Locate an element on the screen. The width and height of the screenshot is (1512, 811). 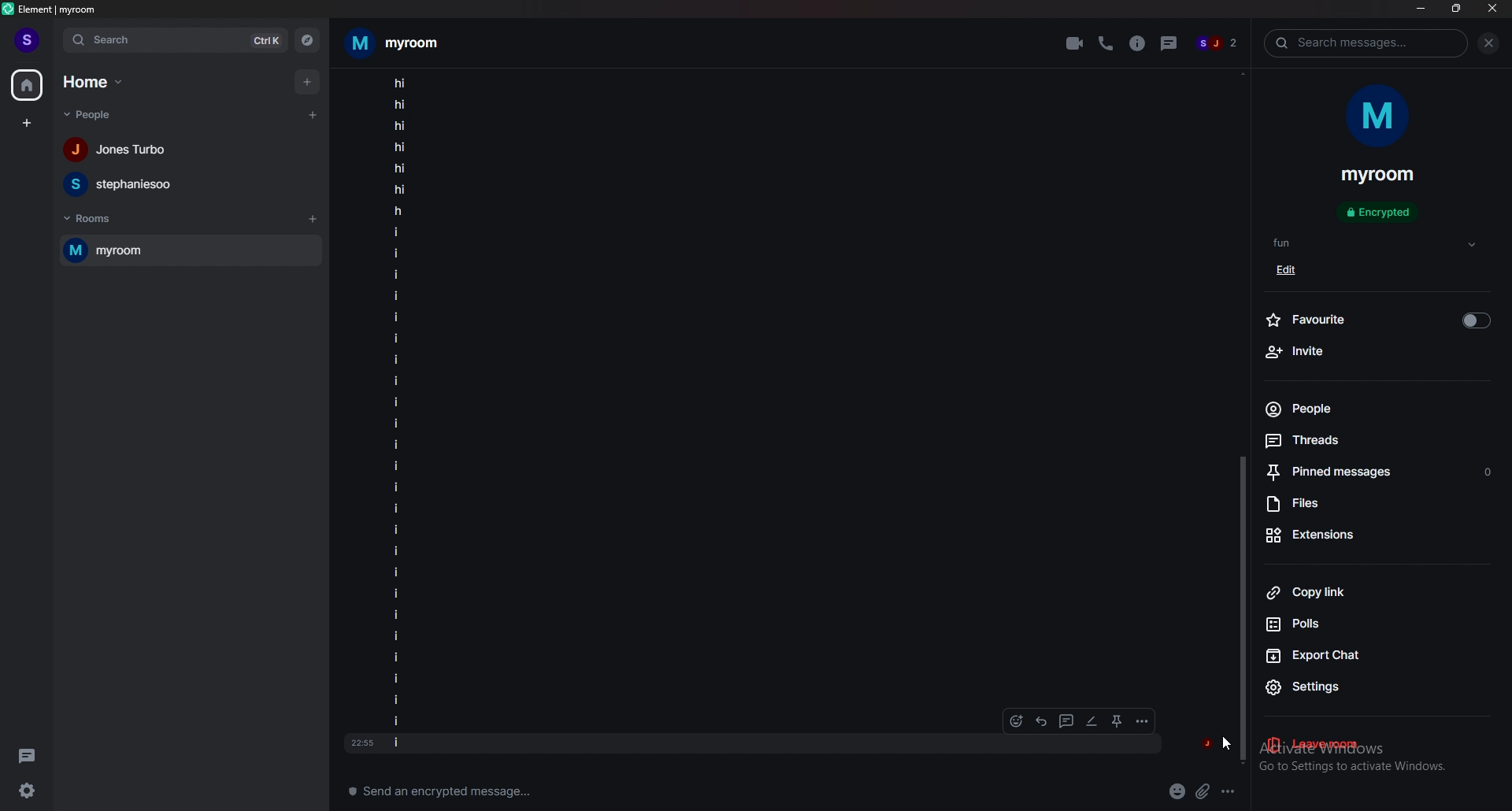
home is located at coordinates (94, 82).